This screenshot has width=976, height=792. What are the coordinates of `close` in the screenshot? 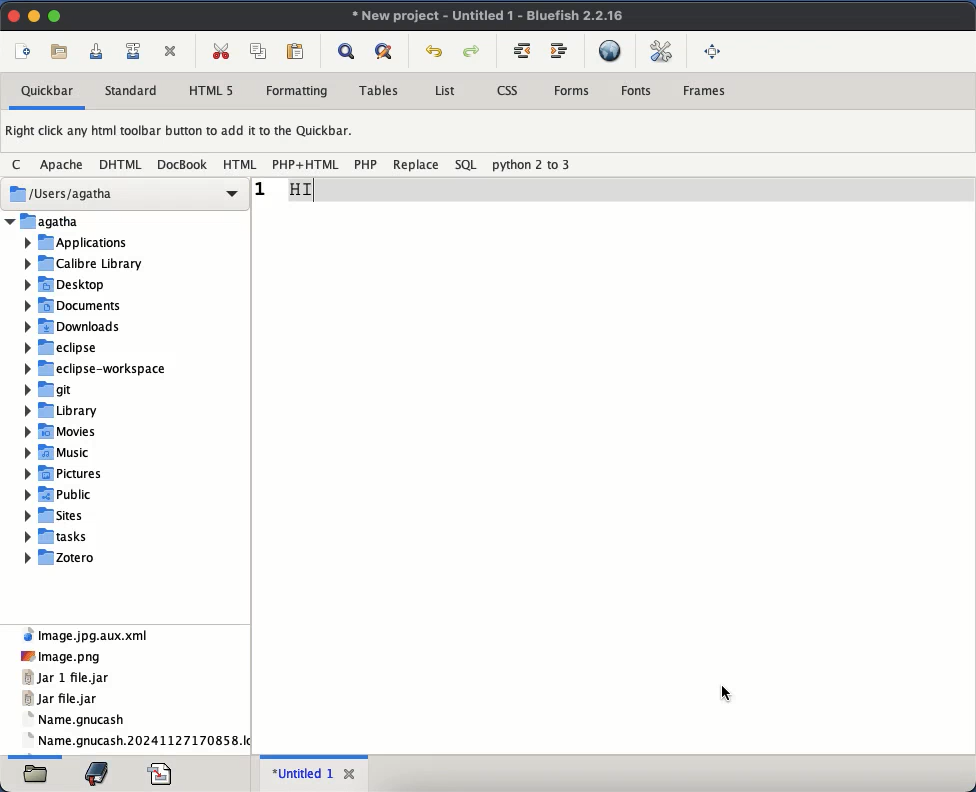 It's located at (15, 17).